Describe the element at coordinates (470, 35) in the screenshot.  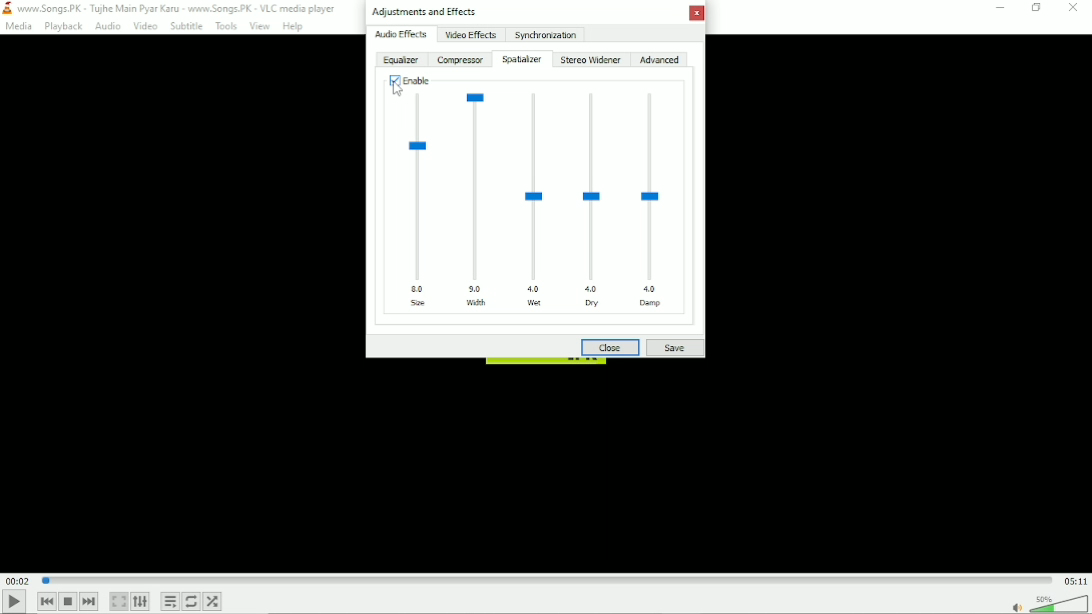
I see `Video effects` at that location.